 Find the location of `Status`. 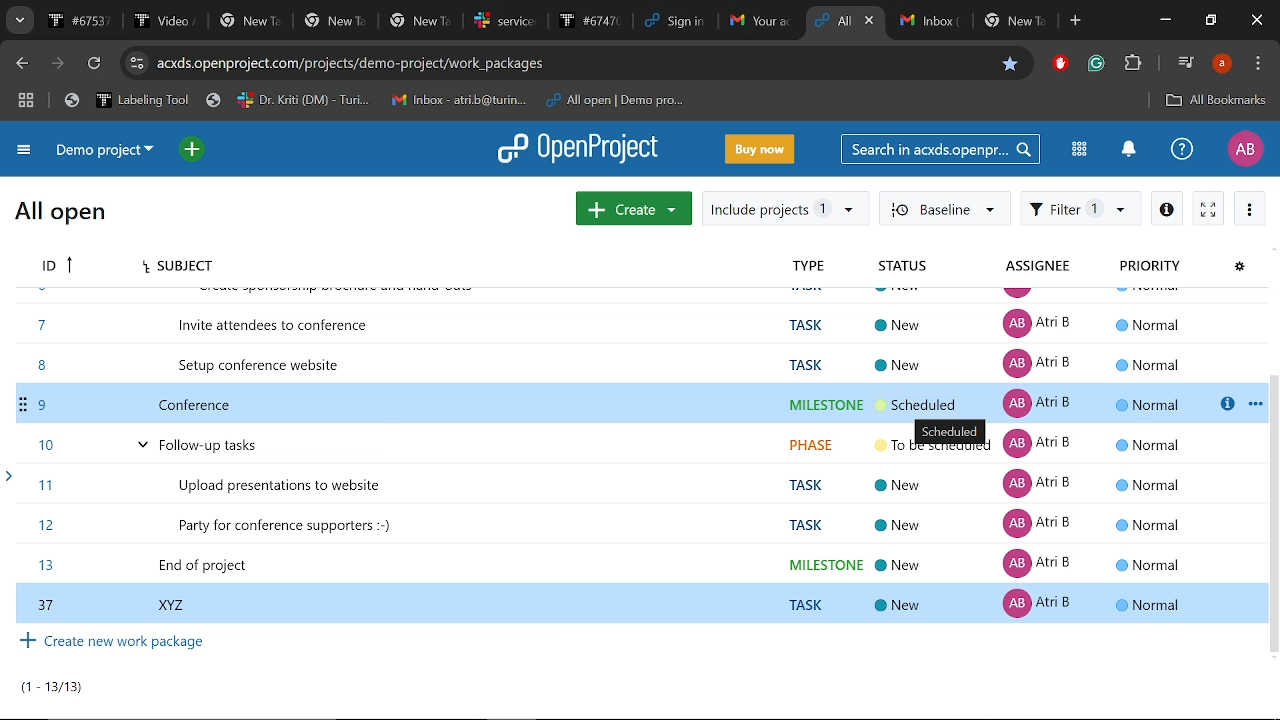

Status is located at coordinates (904, 268).